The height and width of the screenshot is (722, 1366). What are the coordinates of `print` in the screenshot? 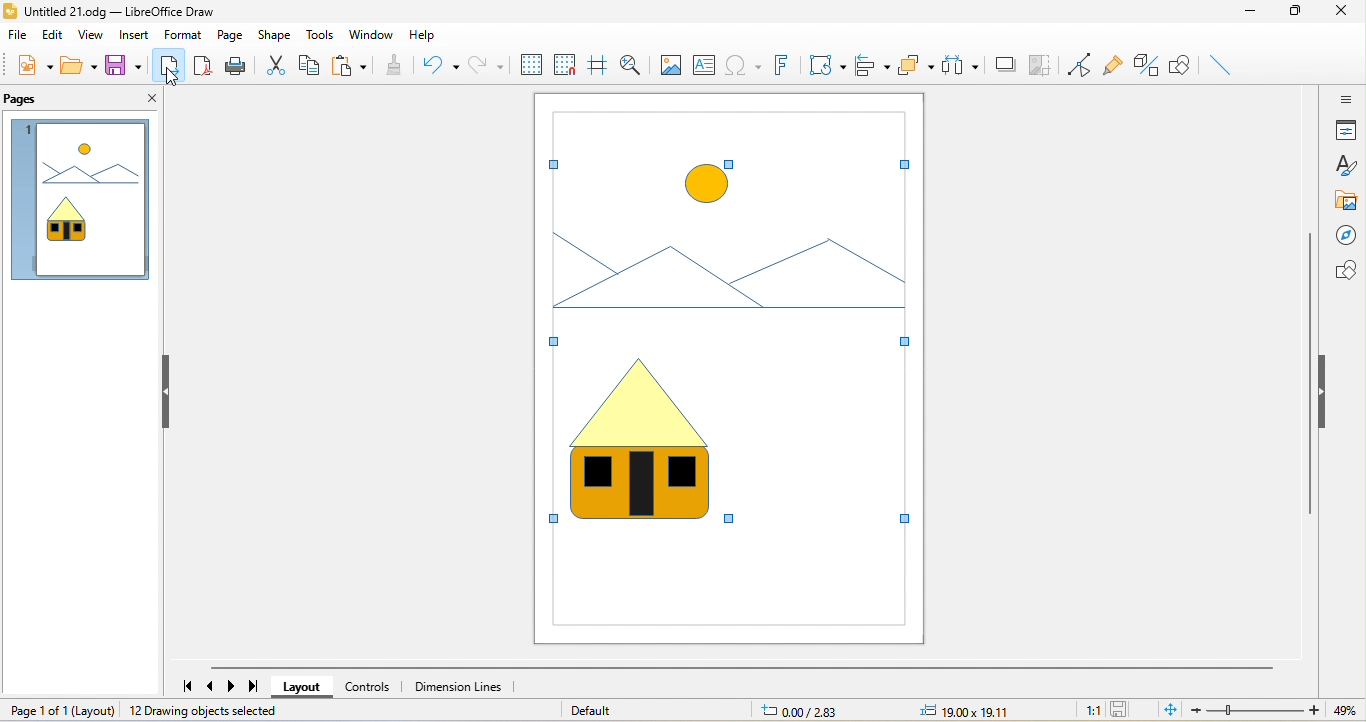 It's located at (237, 64).